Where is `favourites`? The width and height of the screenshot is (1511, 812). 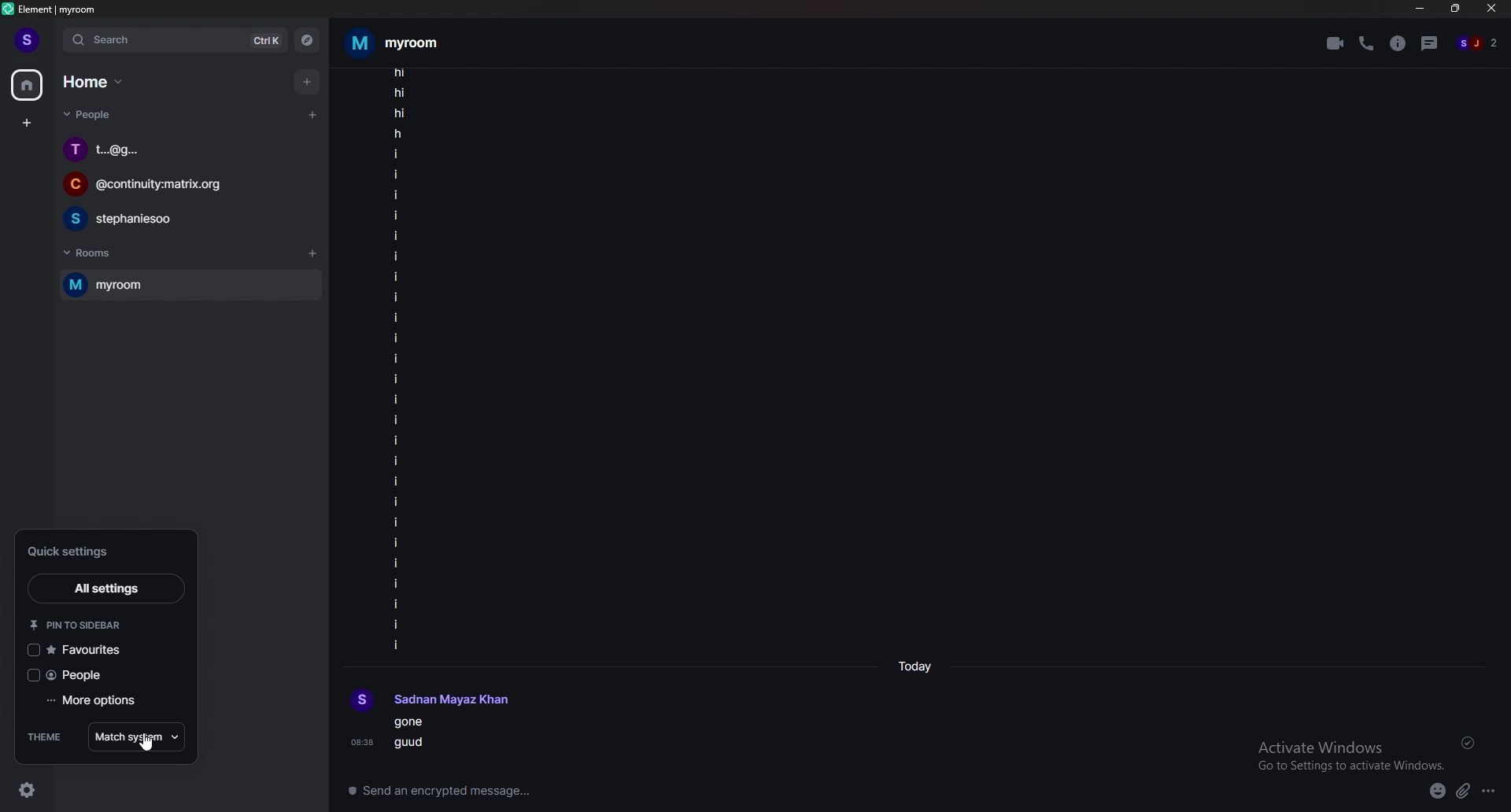
favourites is located at coordinates (98, 650).